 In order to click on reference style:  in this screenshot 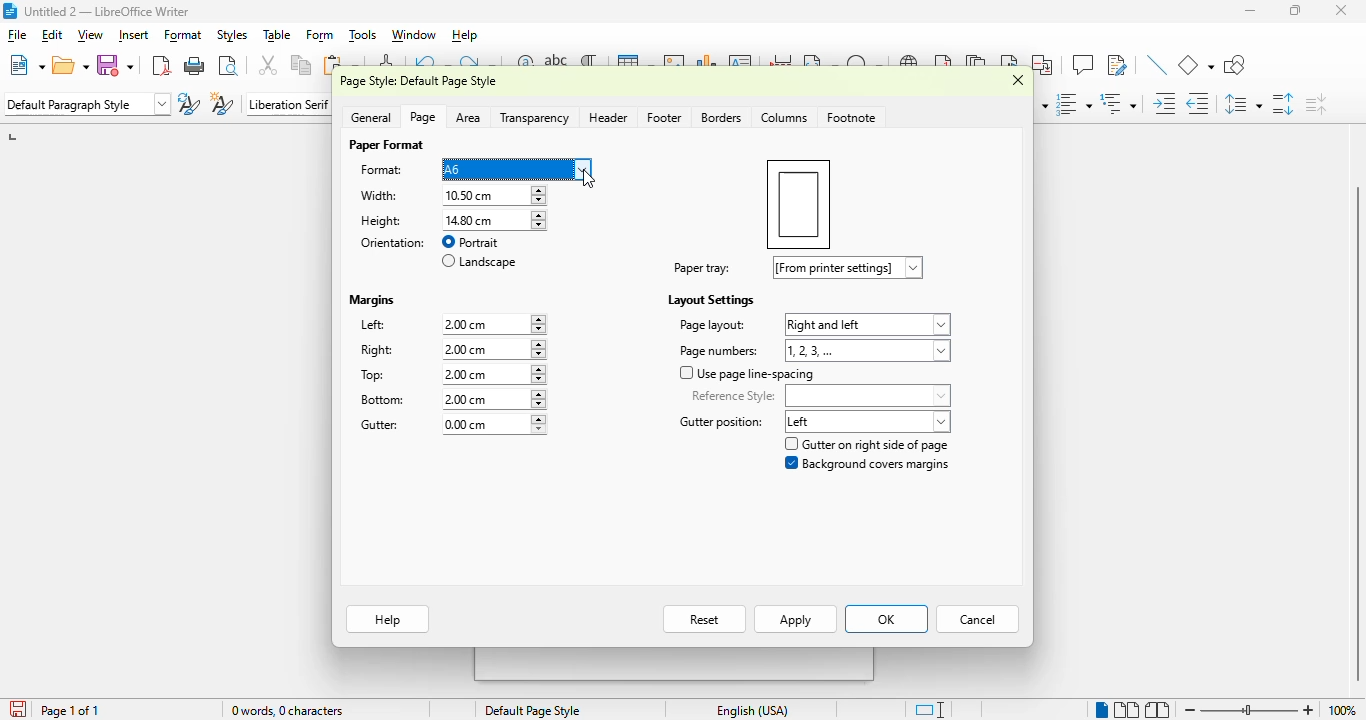, I will do `click(820, 396)`.